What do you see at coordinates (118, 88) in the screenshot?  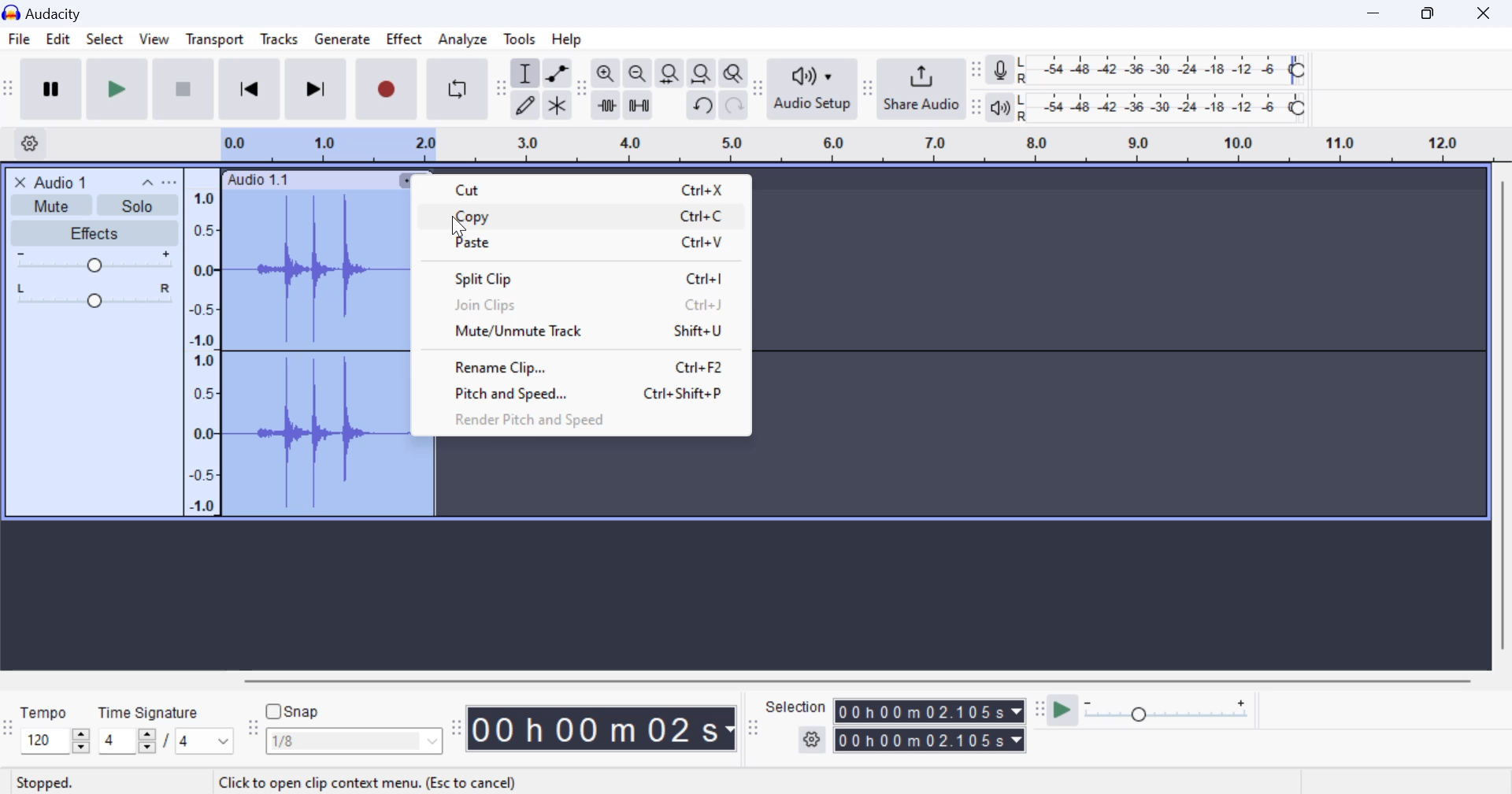 I see `Play` at bounding box center [118, 88].